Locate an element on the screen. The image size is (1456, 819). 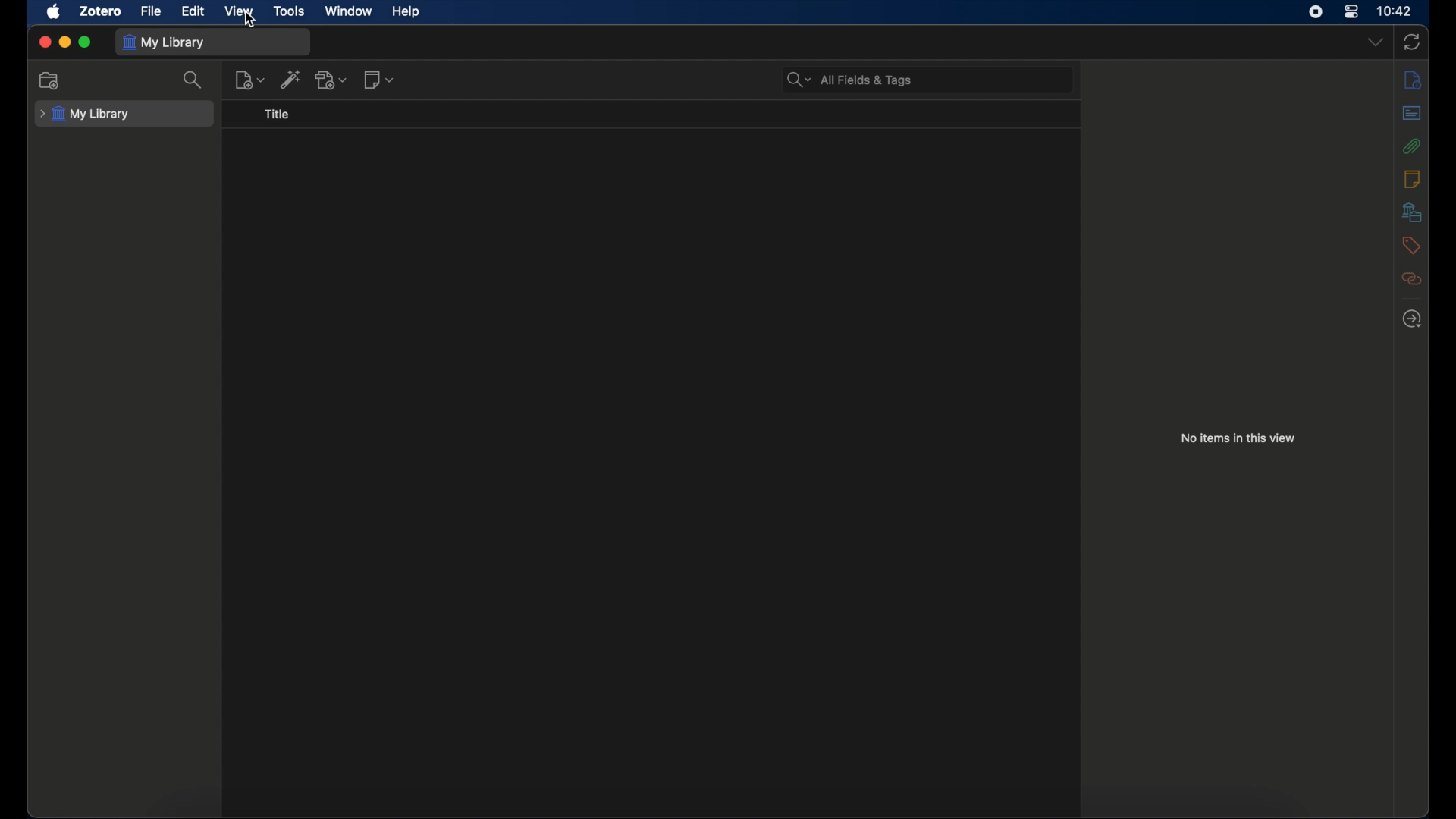
tags is located at coordinates (1411, 245).